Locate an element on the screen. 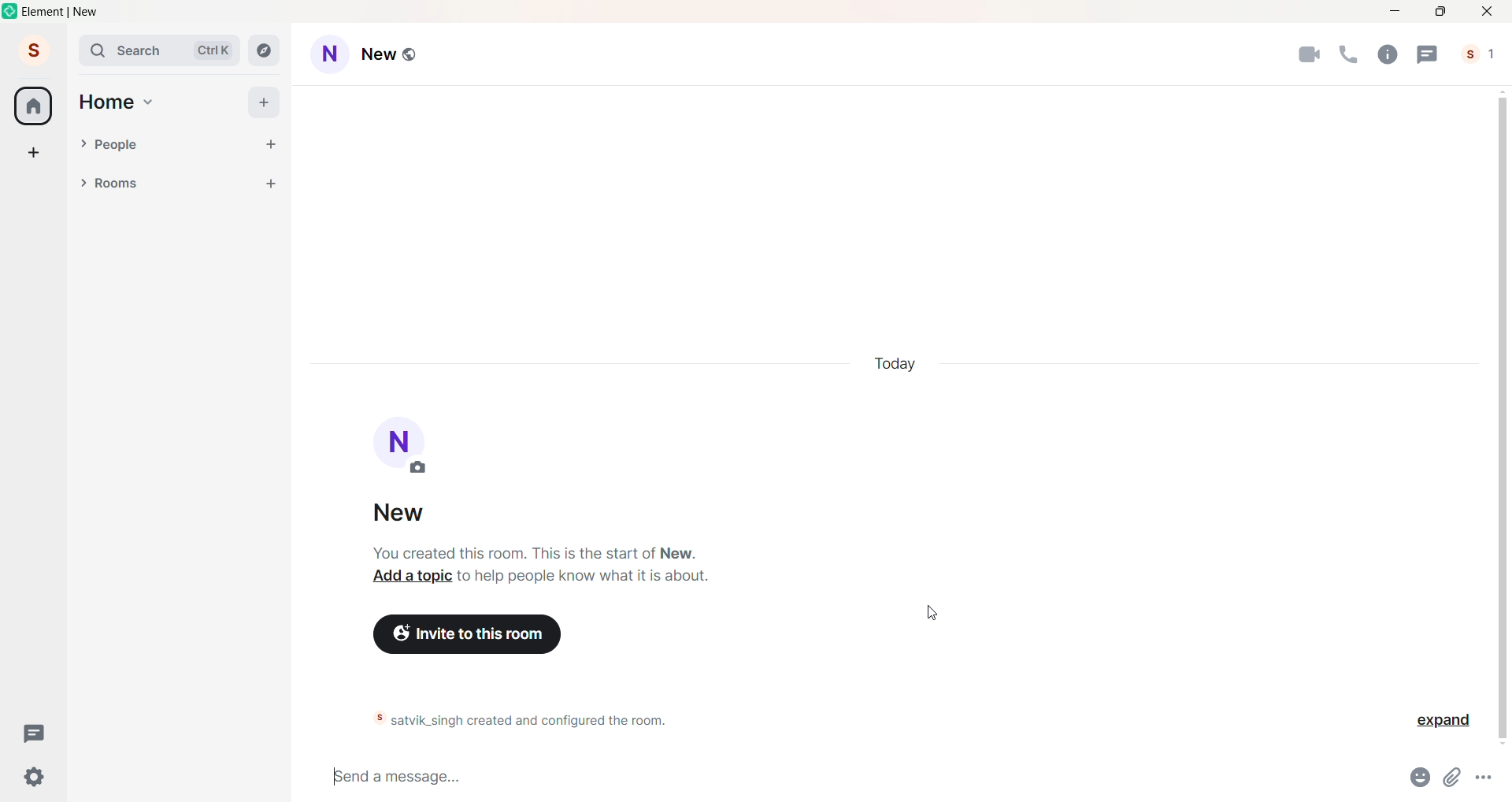 The width and height of the screenshot is (1512, 802). Ctrl K is located at coordinates (213, 50).